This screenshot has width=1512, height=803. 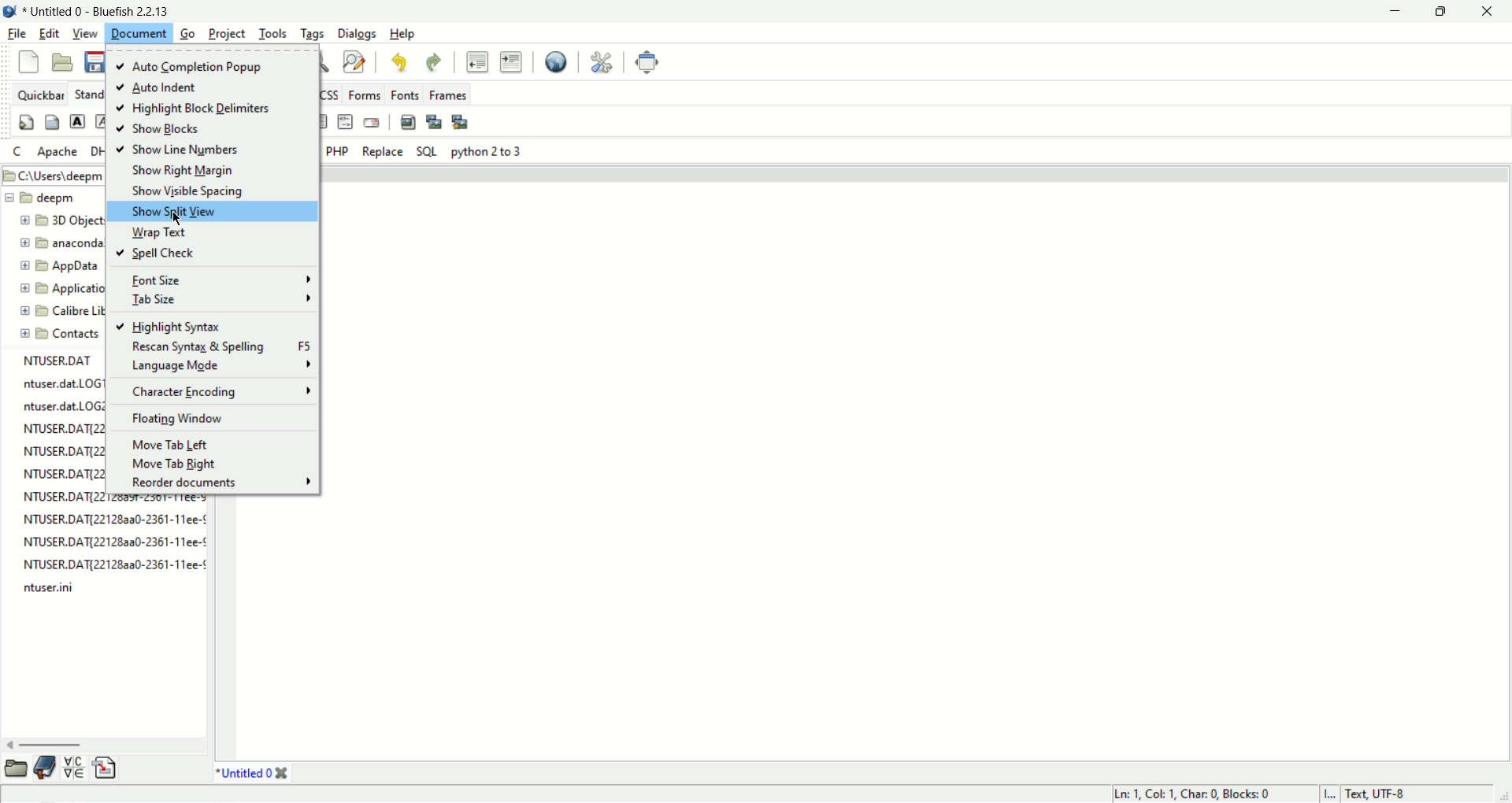 What do you see at coordinates (103, 121) in the screenshot?
I see `emphasis` at bounding box center [103, 121].